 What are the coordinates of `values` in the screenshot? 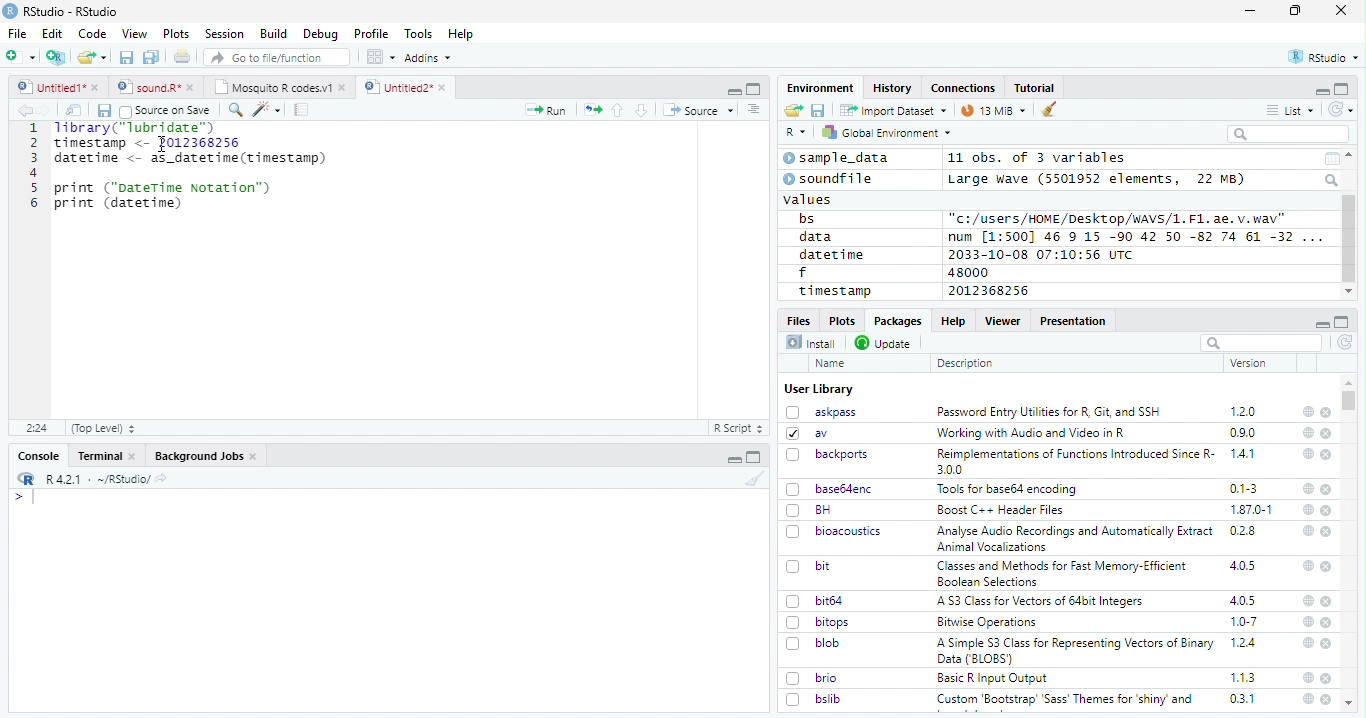 It's located at (809, 198).